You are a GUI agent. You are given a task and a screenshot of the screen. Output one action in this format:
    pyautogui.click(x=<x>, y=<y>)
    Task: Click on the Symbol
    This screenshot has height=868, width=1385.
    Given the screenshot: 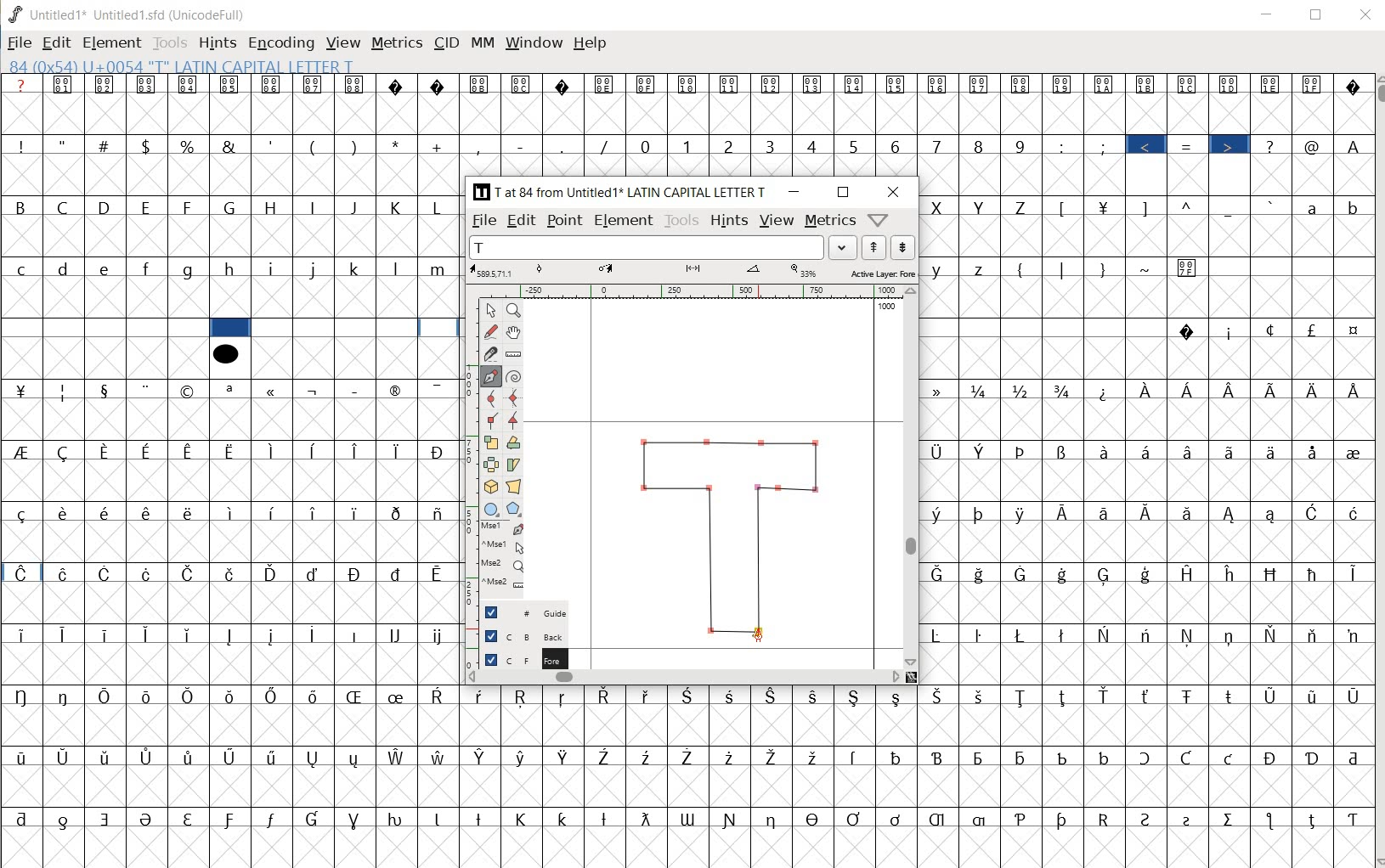 What is the action you would take?
    pyautogui.click(x=732, y=819)
    